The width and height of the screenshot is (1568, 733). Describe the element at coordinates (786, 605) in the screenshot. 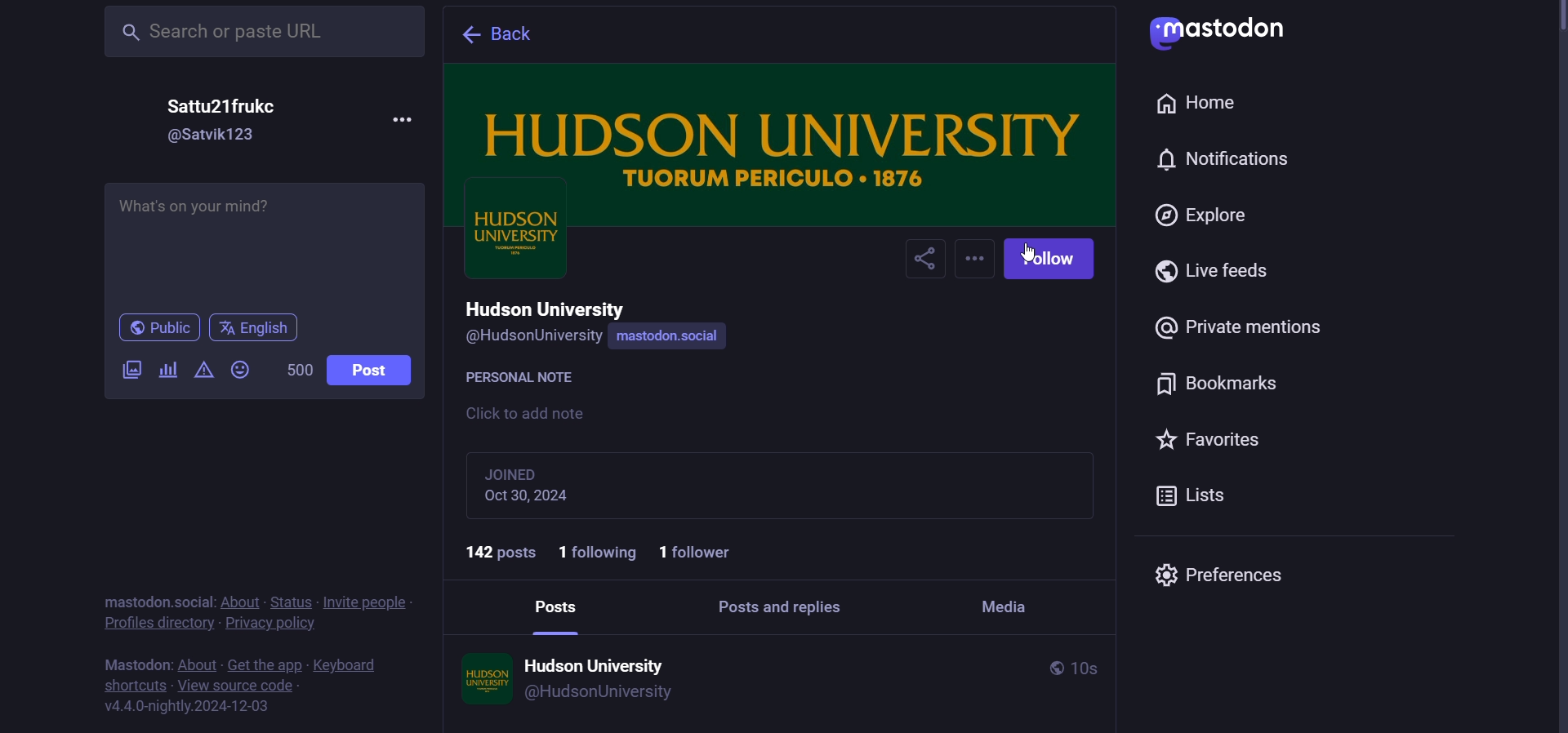

I see `posts and replies` at that location.